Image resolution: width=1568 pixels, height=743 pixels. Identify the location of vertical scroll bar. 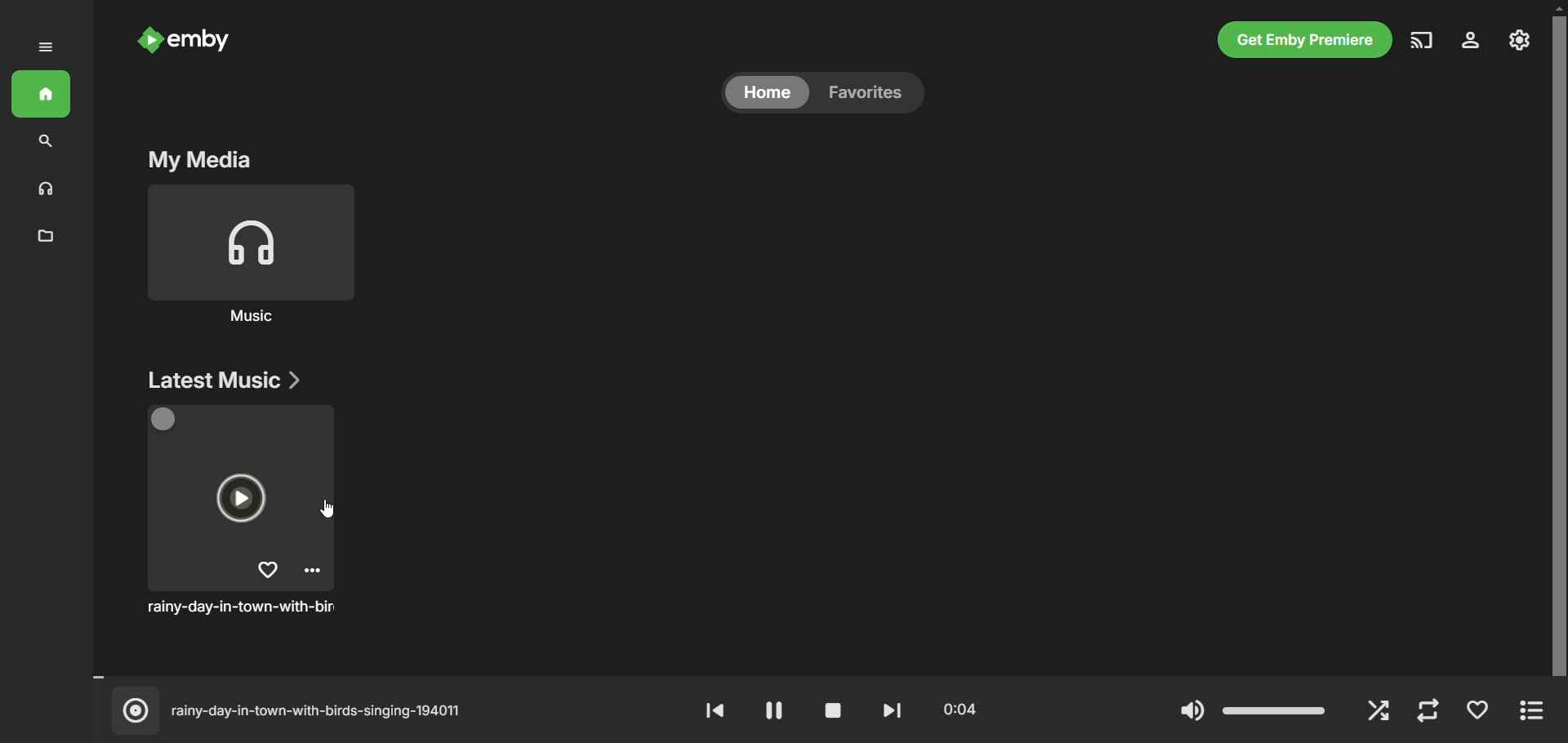
(1558, 340).